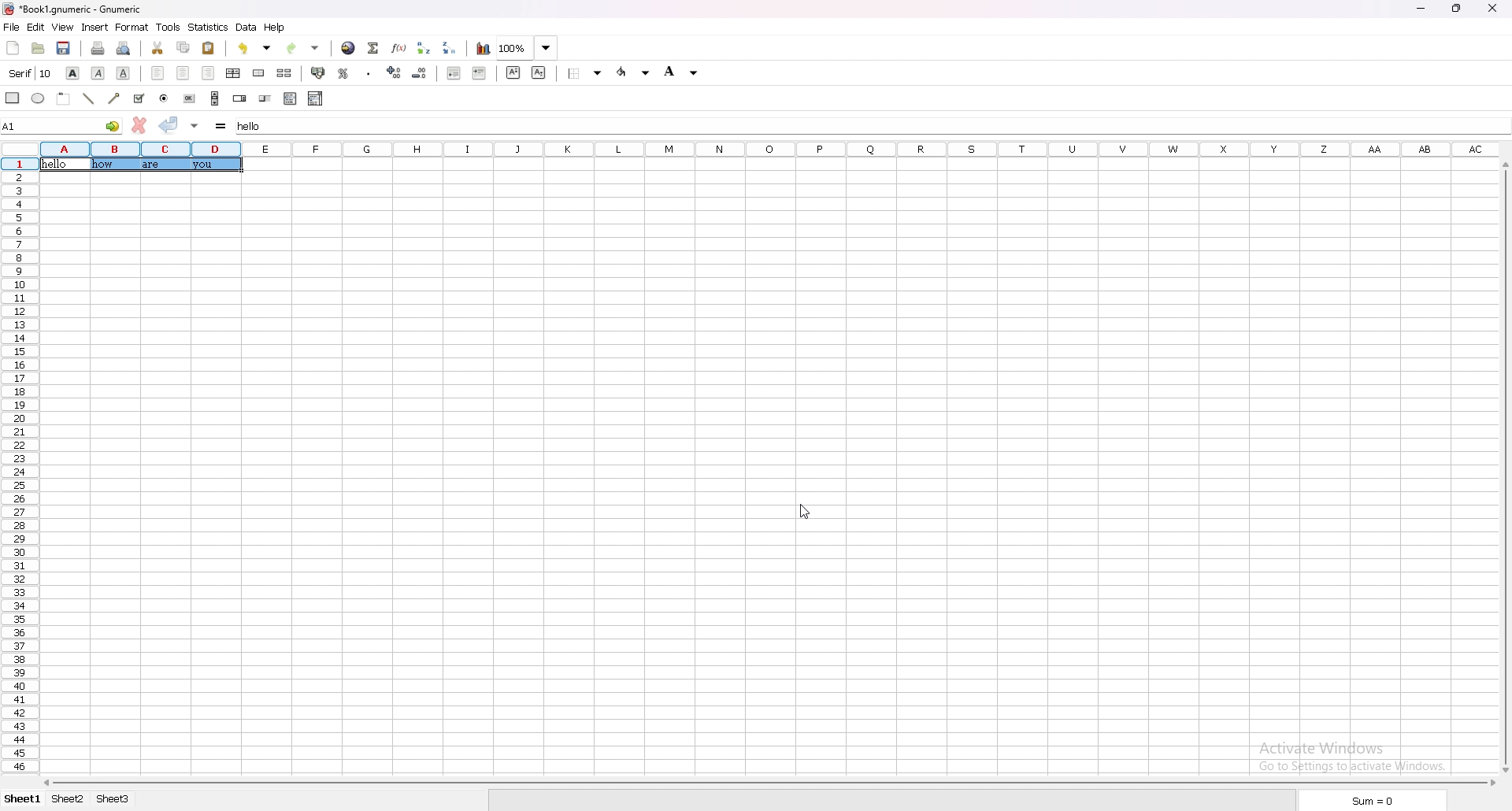  Describe the element at coordinates (369, 72) in the screenshot. I see `thousand separator` at that location.